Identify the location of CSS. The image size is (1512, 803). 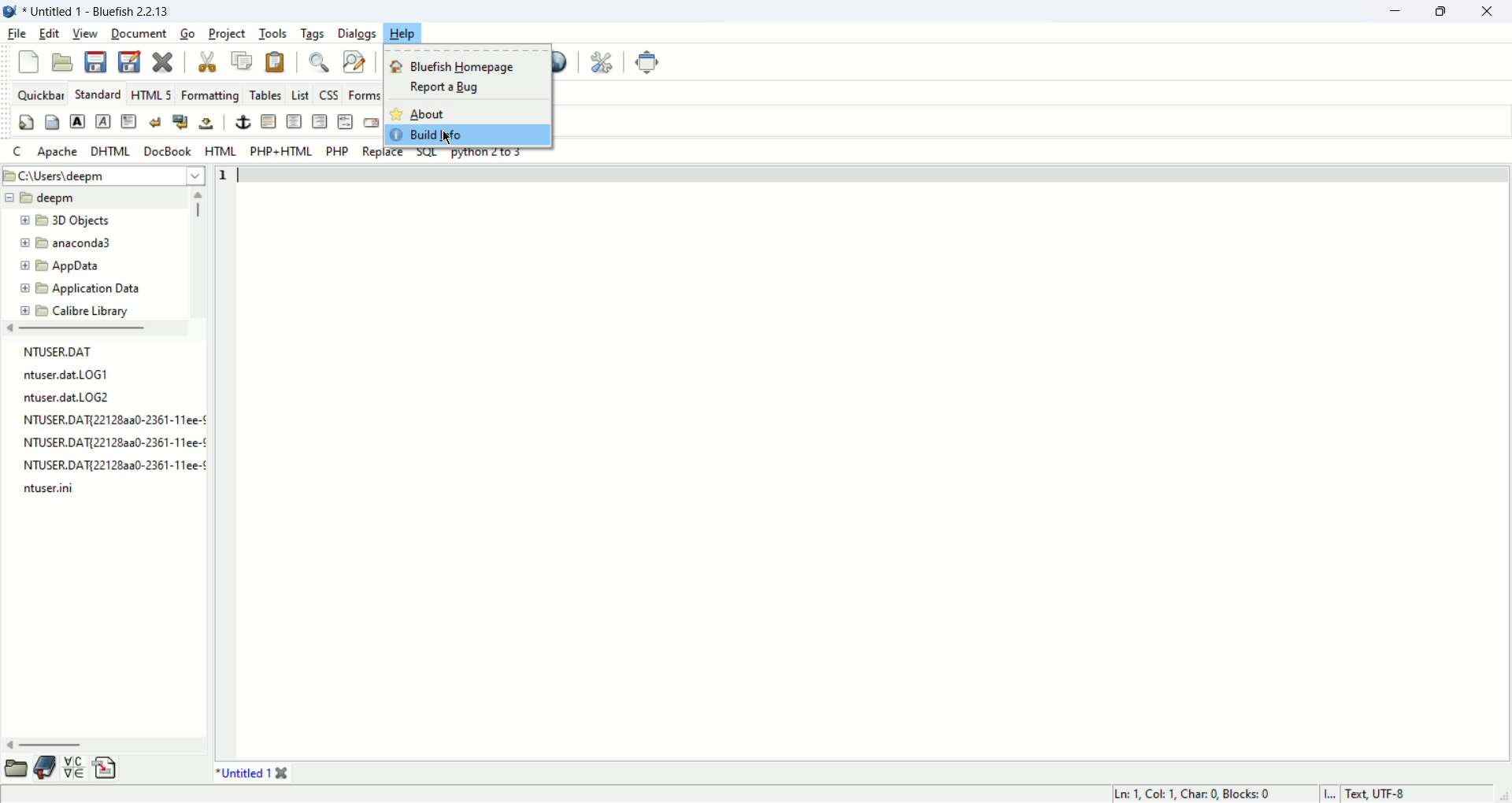
(328, 95).